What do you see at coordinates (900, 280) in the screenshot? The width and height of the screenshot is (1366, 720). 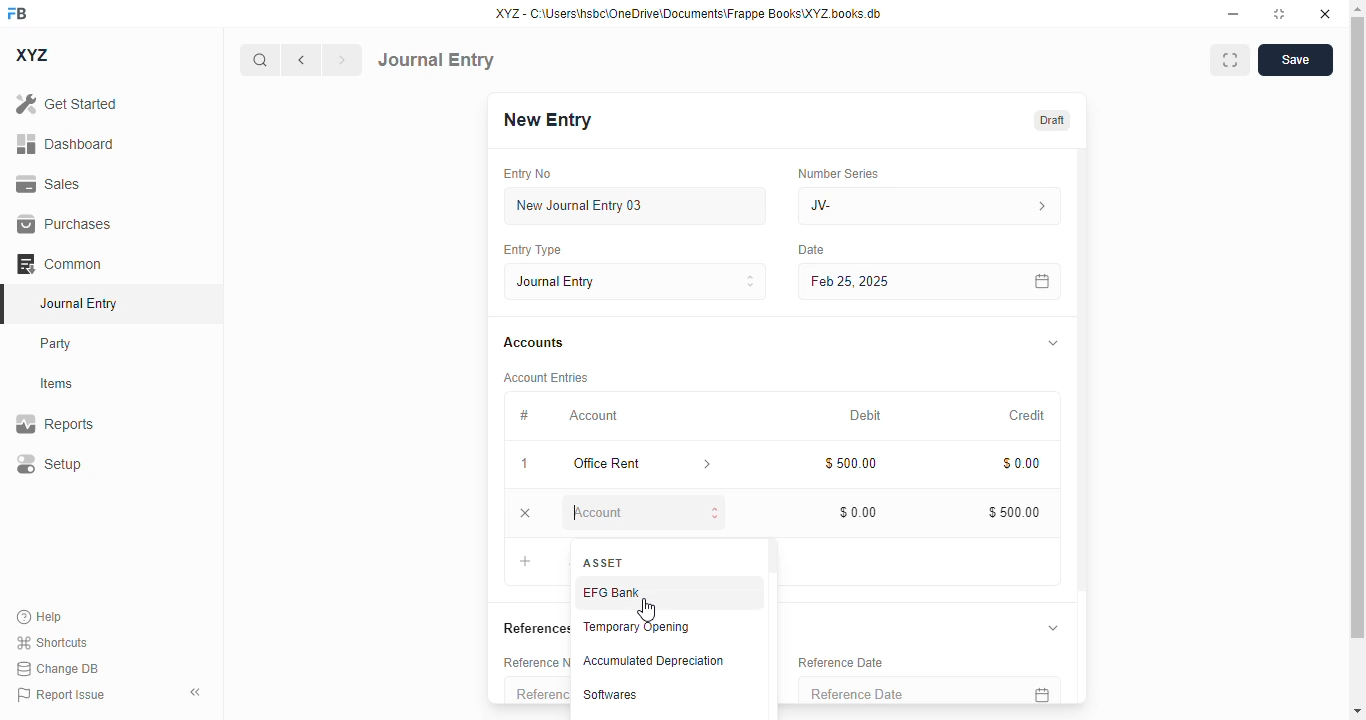 I see `feb 25, 2025` at bounding box center [900, 280].